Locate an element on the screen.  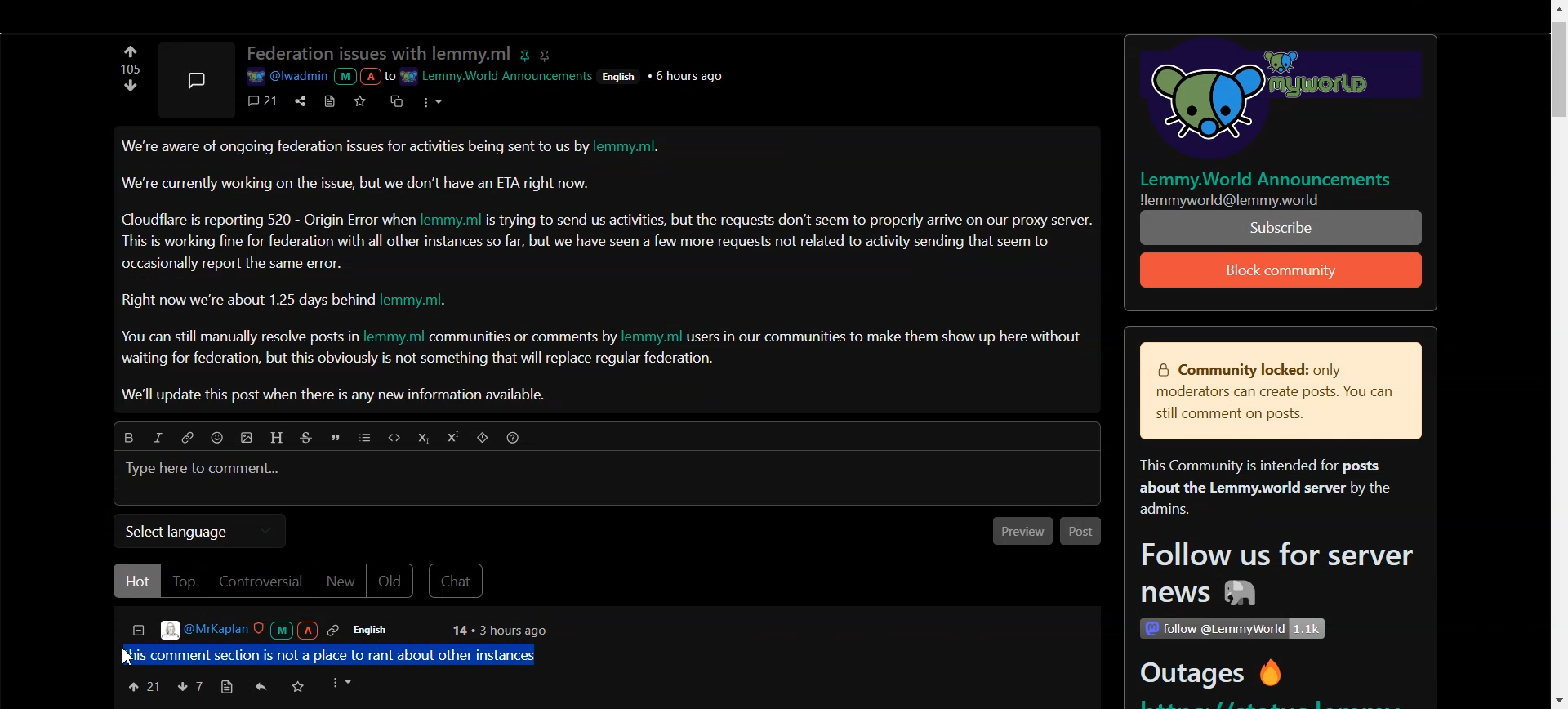
 is located at coordinates (1252, 199).